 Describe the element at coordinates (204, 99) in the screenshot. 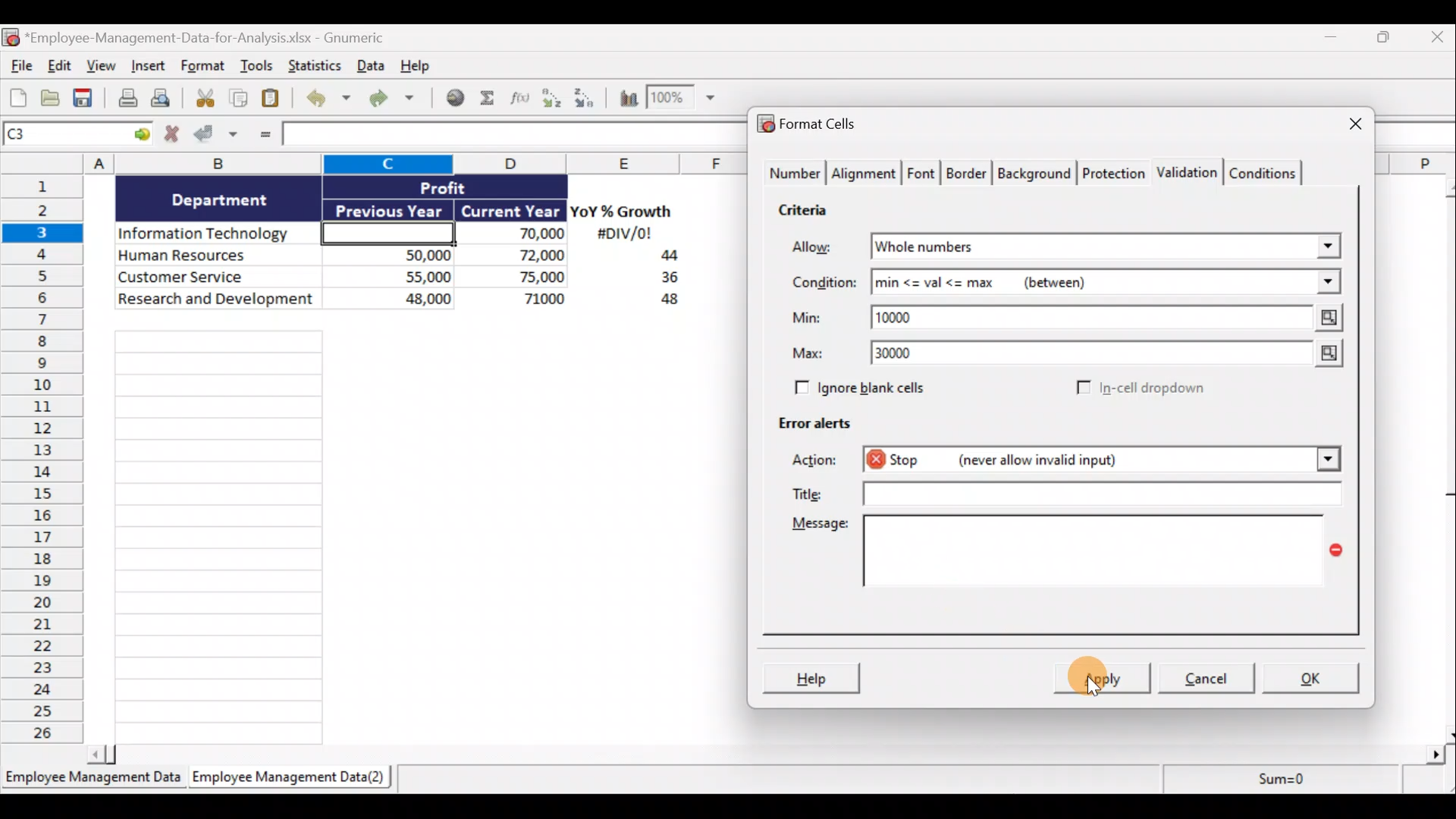

I see `Cut selection` at that location.